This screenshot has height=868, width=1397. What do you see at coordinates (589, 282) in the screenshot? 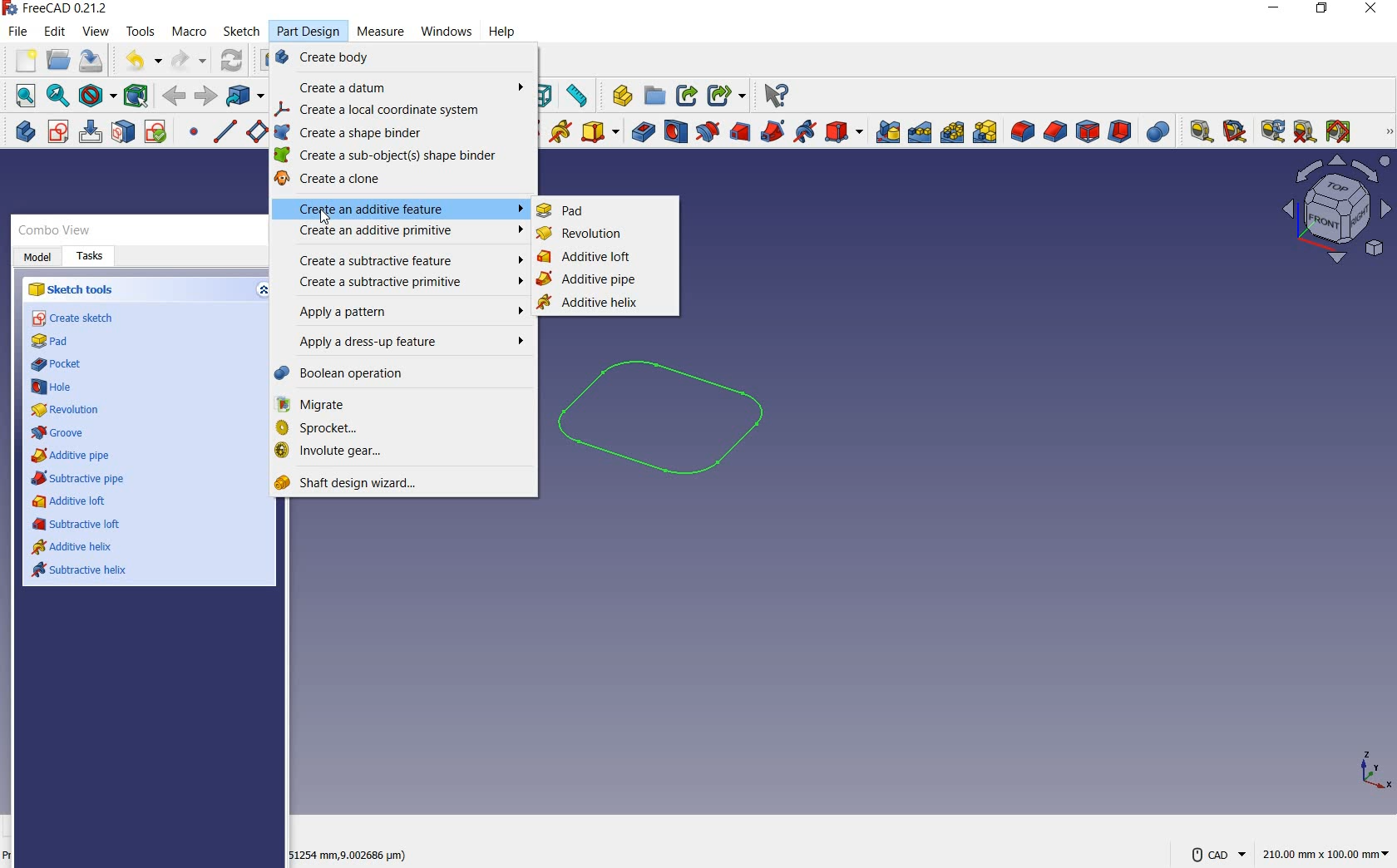
I see `additive pipe` at bounding box center [589, 282].